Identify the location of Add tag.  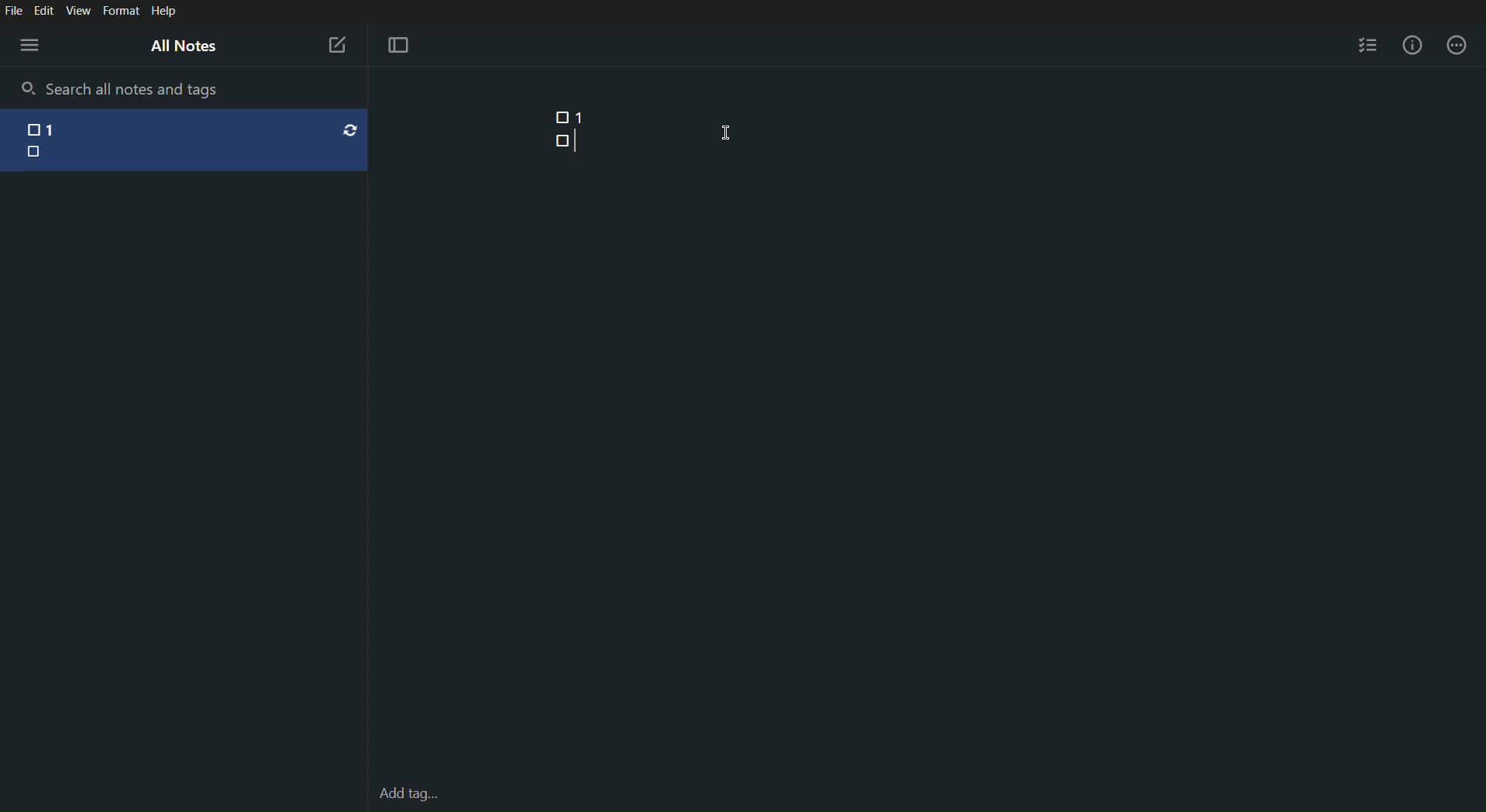
(410, 766).